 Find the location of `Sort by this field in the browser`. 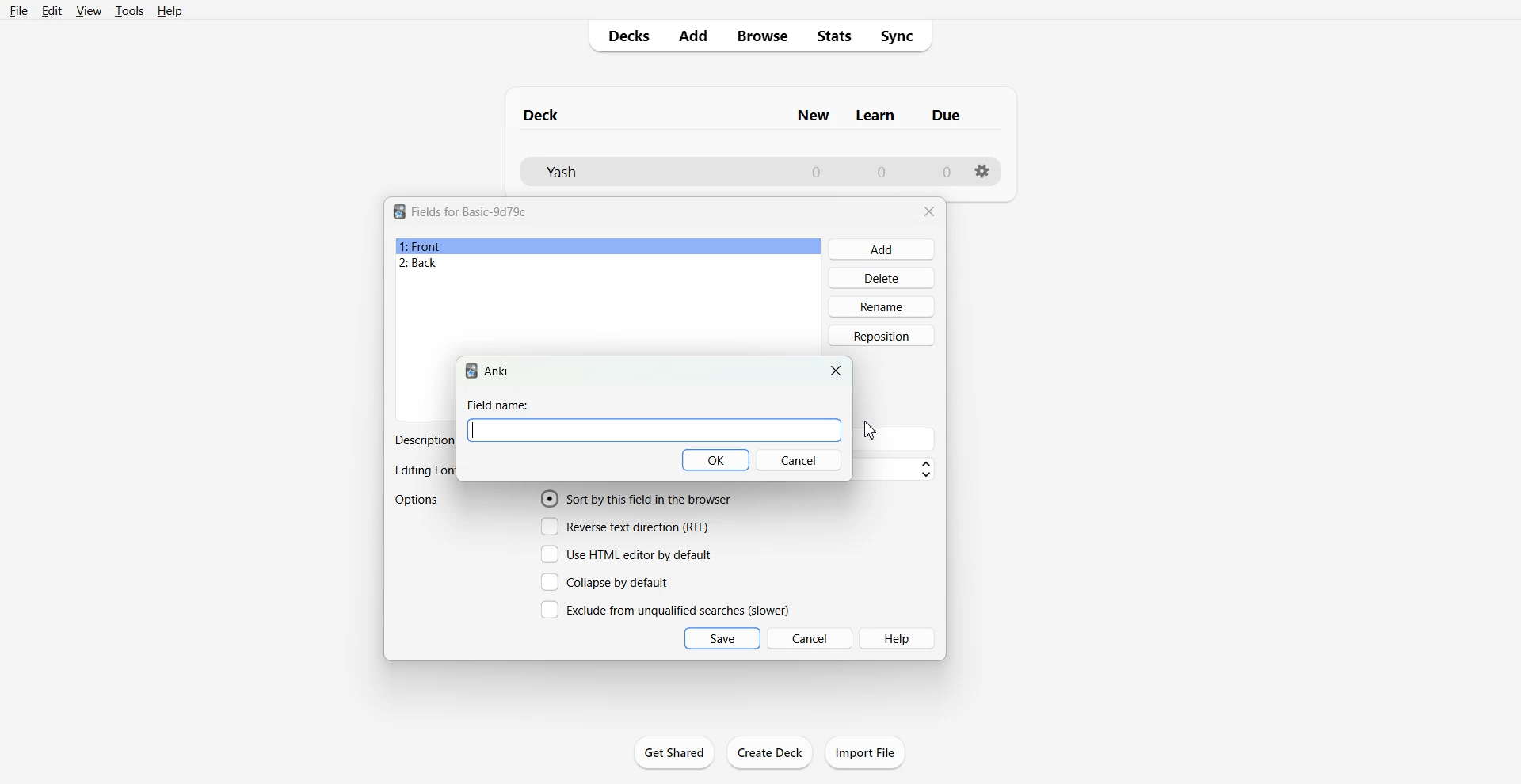

Sort by this field in the browser is located at coordinates (636, 498).